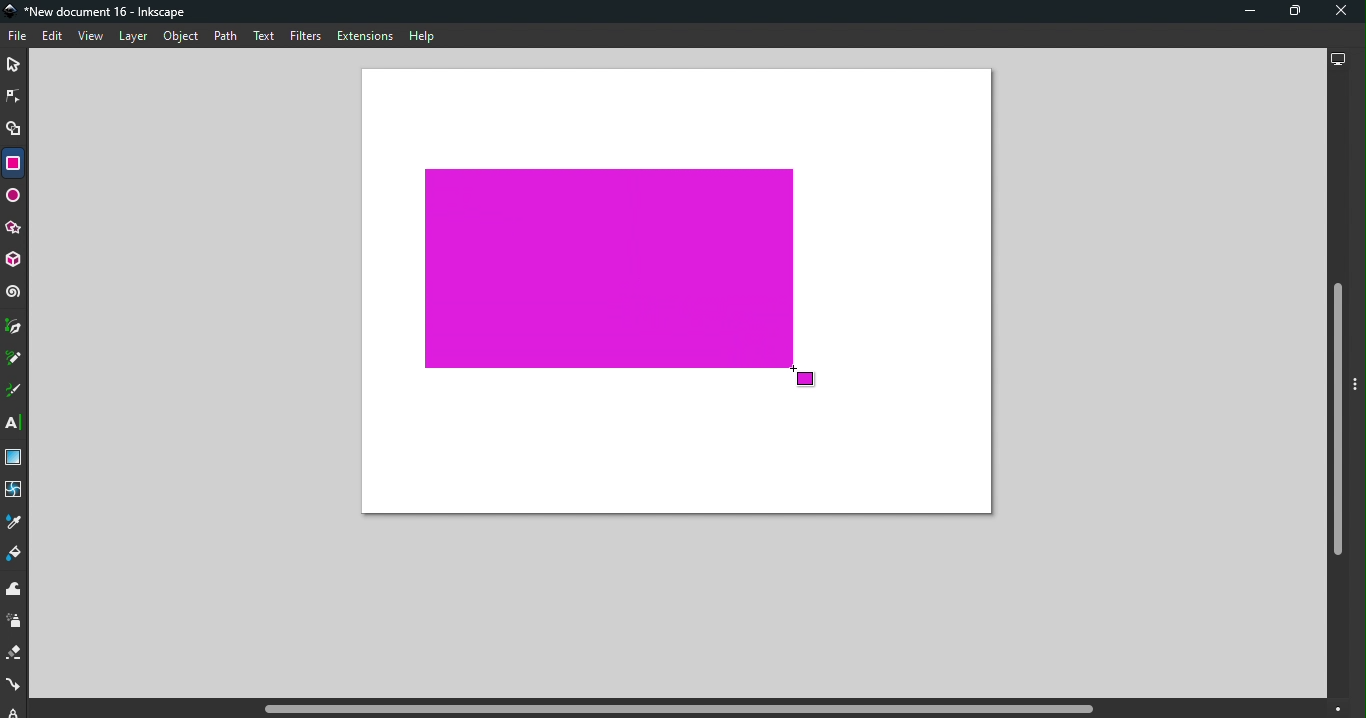 The height and width of the screenshot is (718, 1366). What do you see at coordinates (17, 357) in the screenshot?
I see `Pencil tool` at bounding box center [17, 357].